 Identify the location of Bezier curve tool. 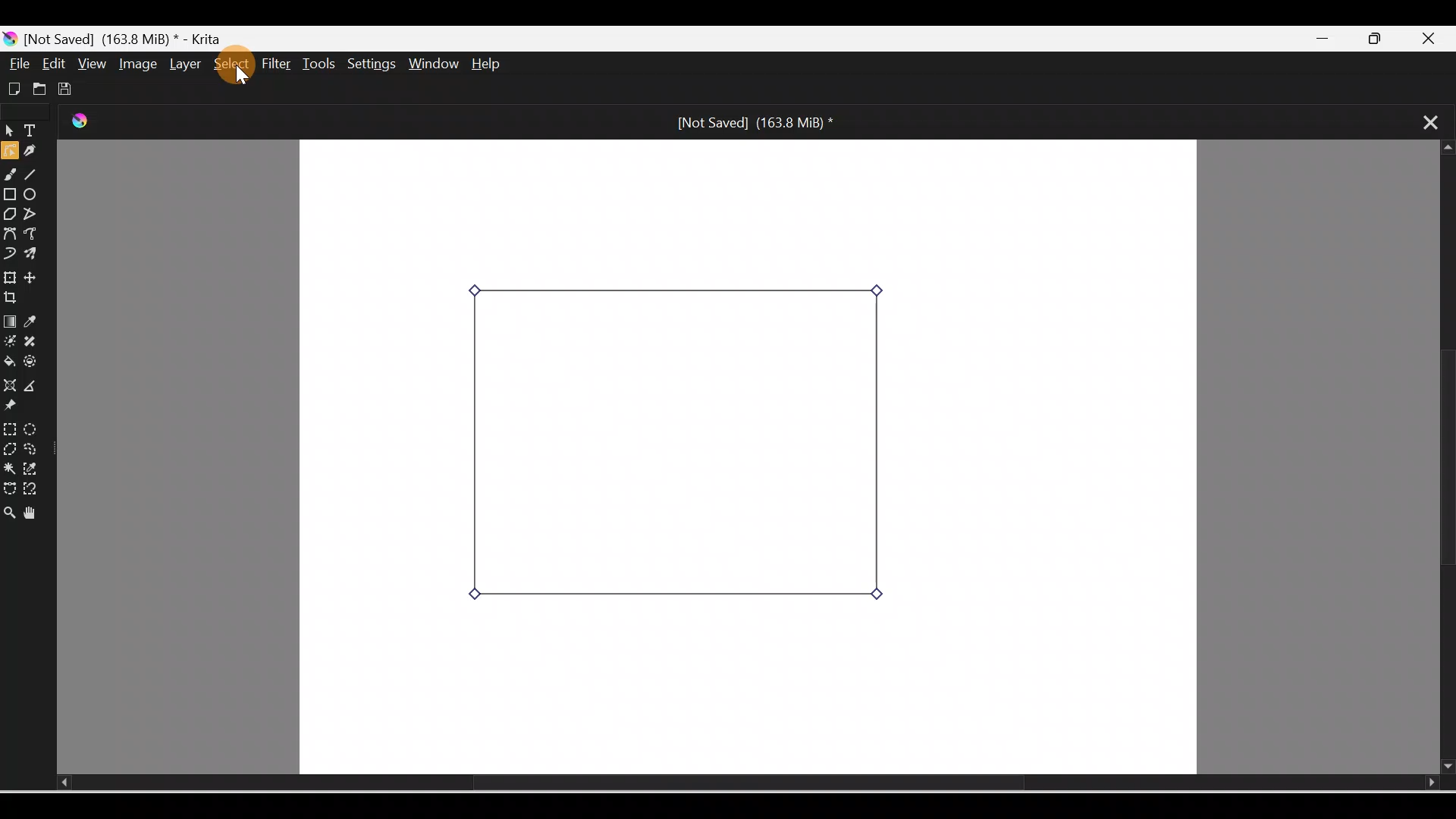
(11, 233).